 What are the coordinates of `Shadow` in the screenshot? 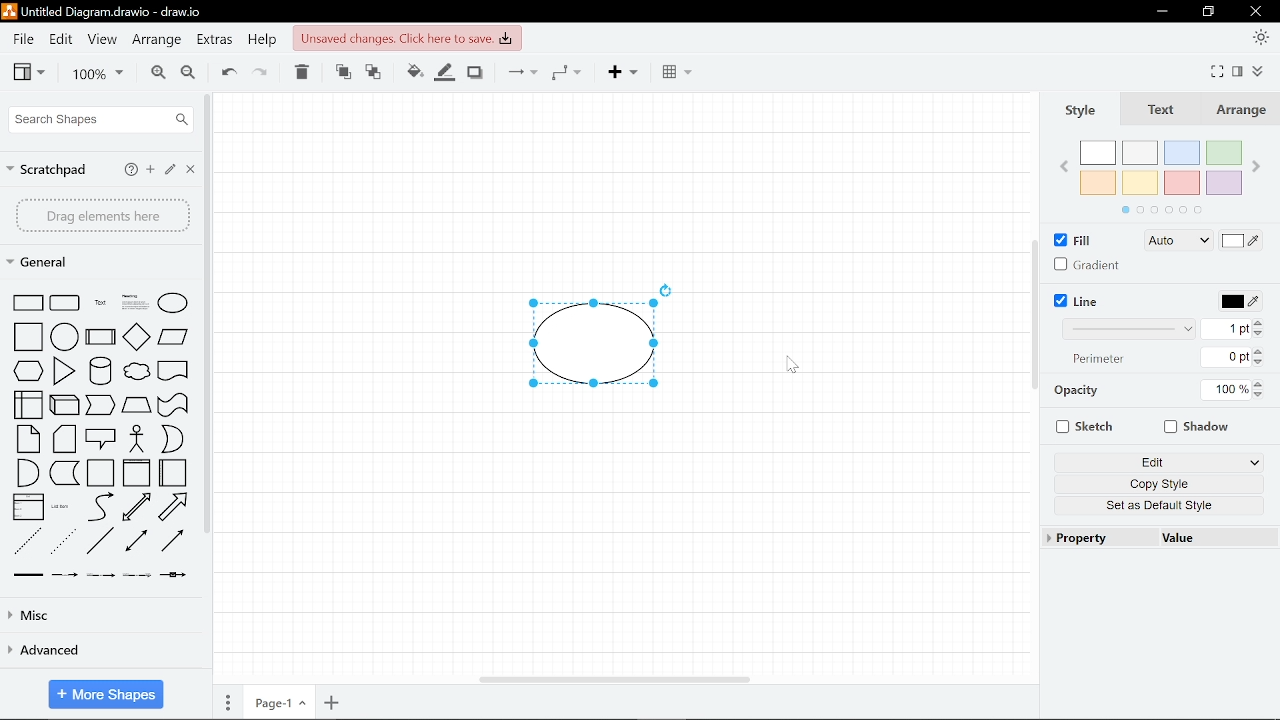 It's located at (474, 72).